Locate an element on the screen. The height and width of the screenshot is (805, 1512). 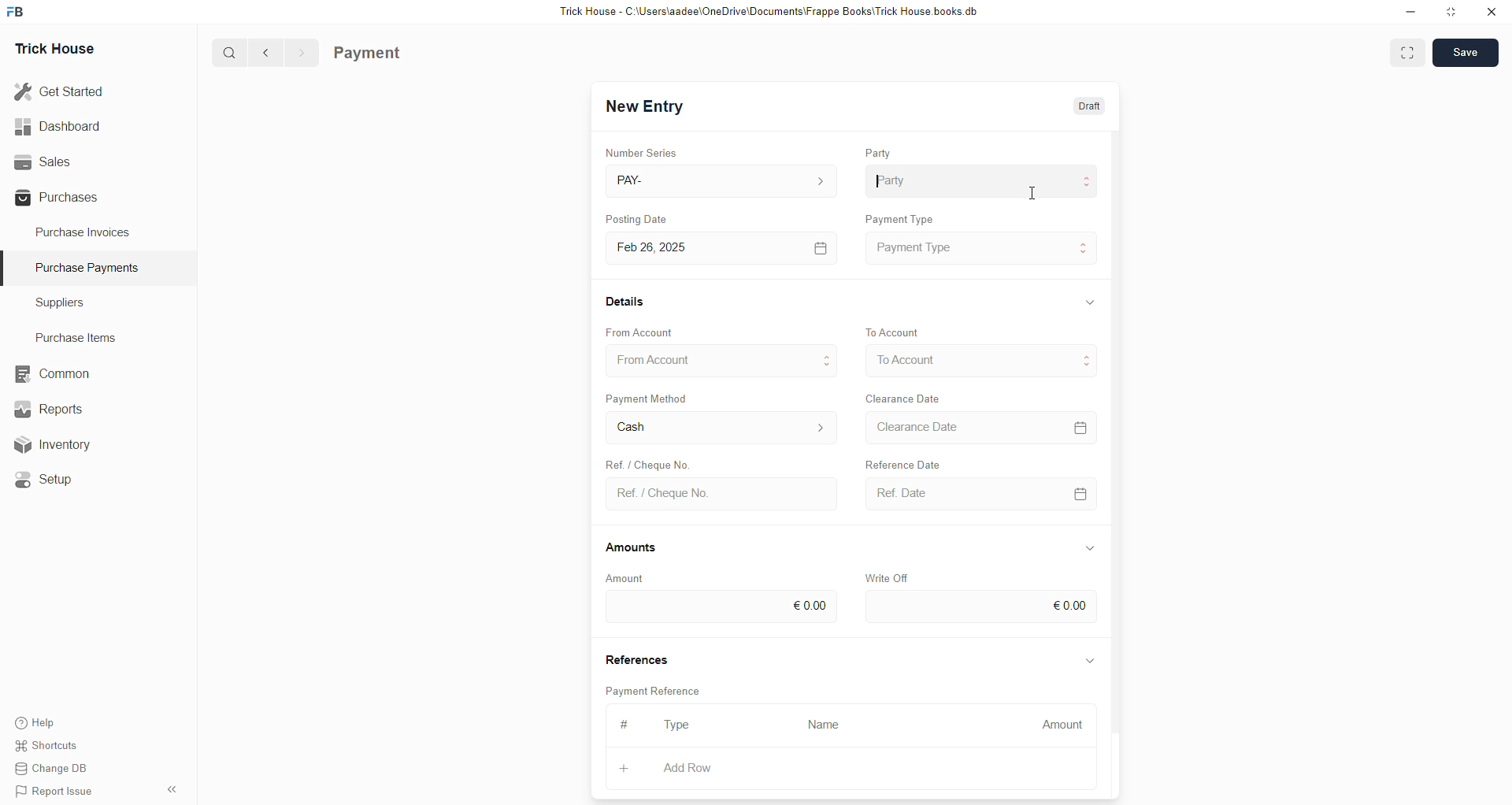
PAY- is located at coordinates (720, 179).